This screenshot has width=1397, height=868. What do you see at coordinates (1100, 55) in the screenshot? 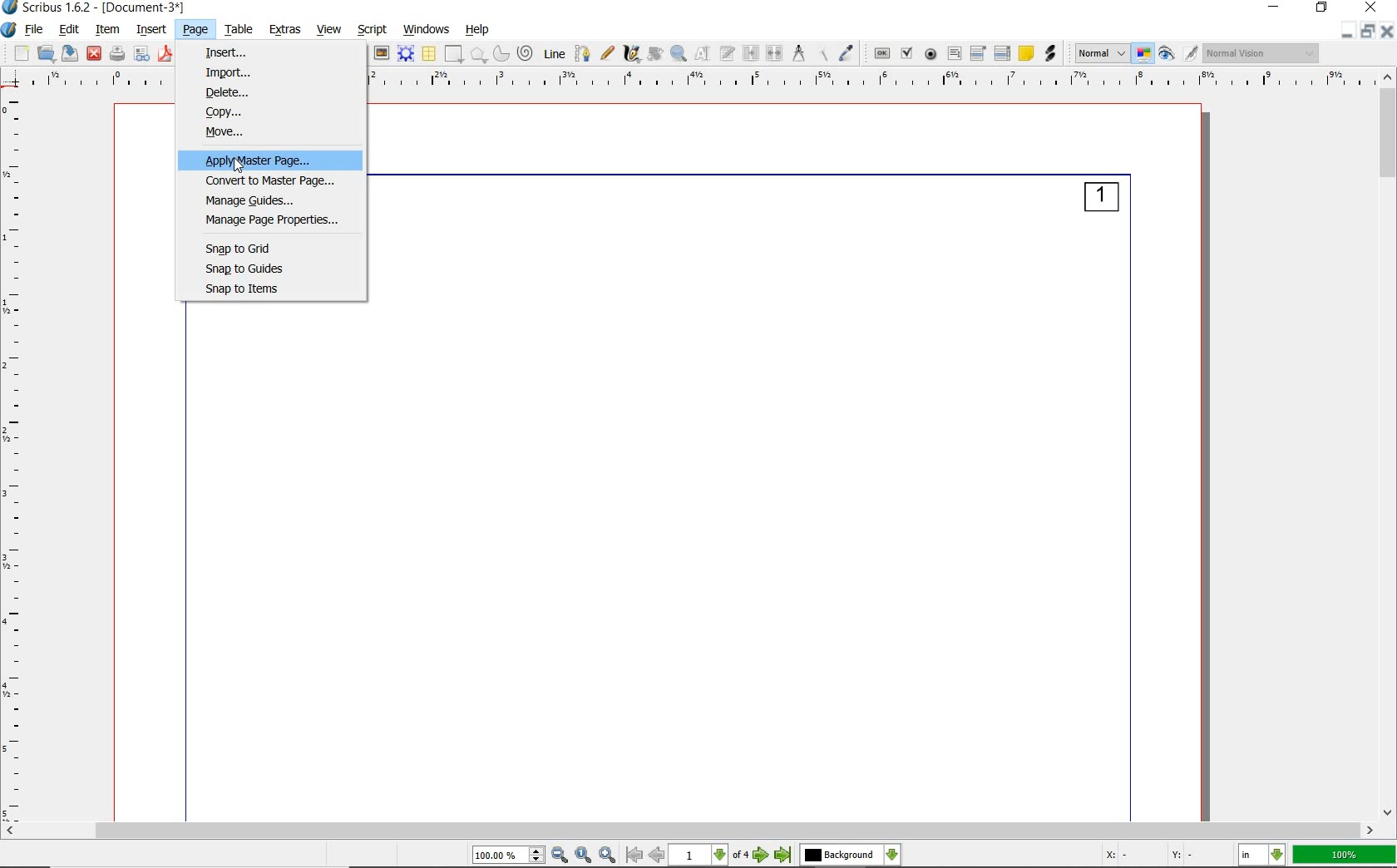
I see `select image preview mode` at bounding box center [1100, 55].